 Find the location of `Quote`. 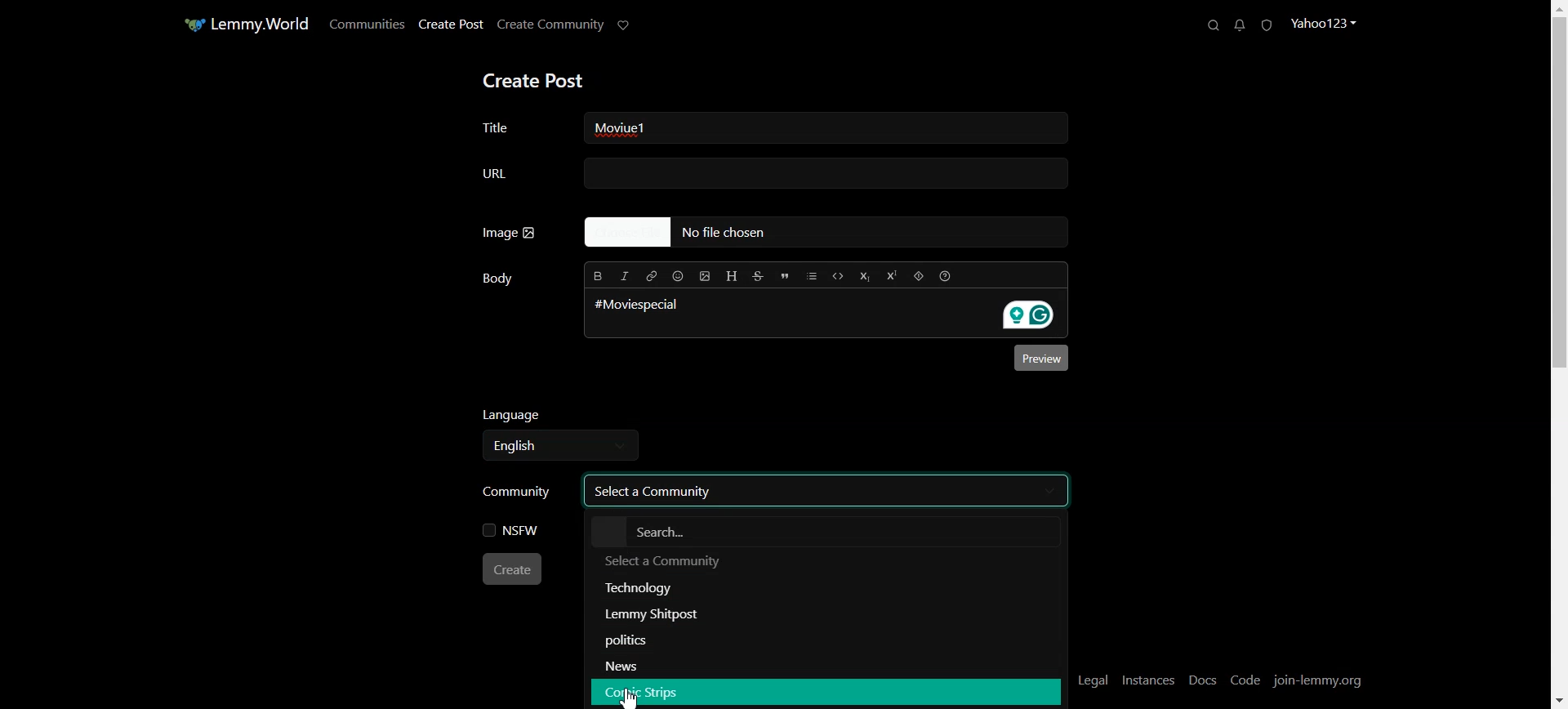

Quote is located at coordinates (782, 275).